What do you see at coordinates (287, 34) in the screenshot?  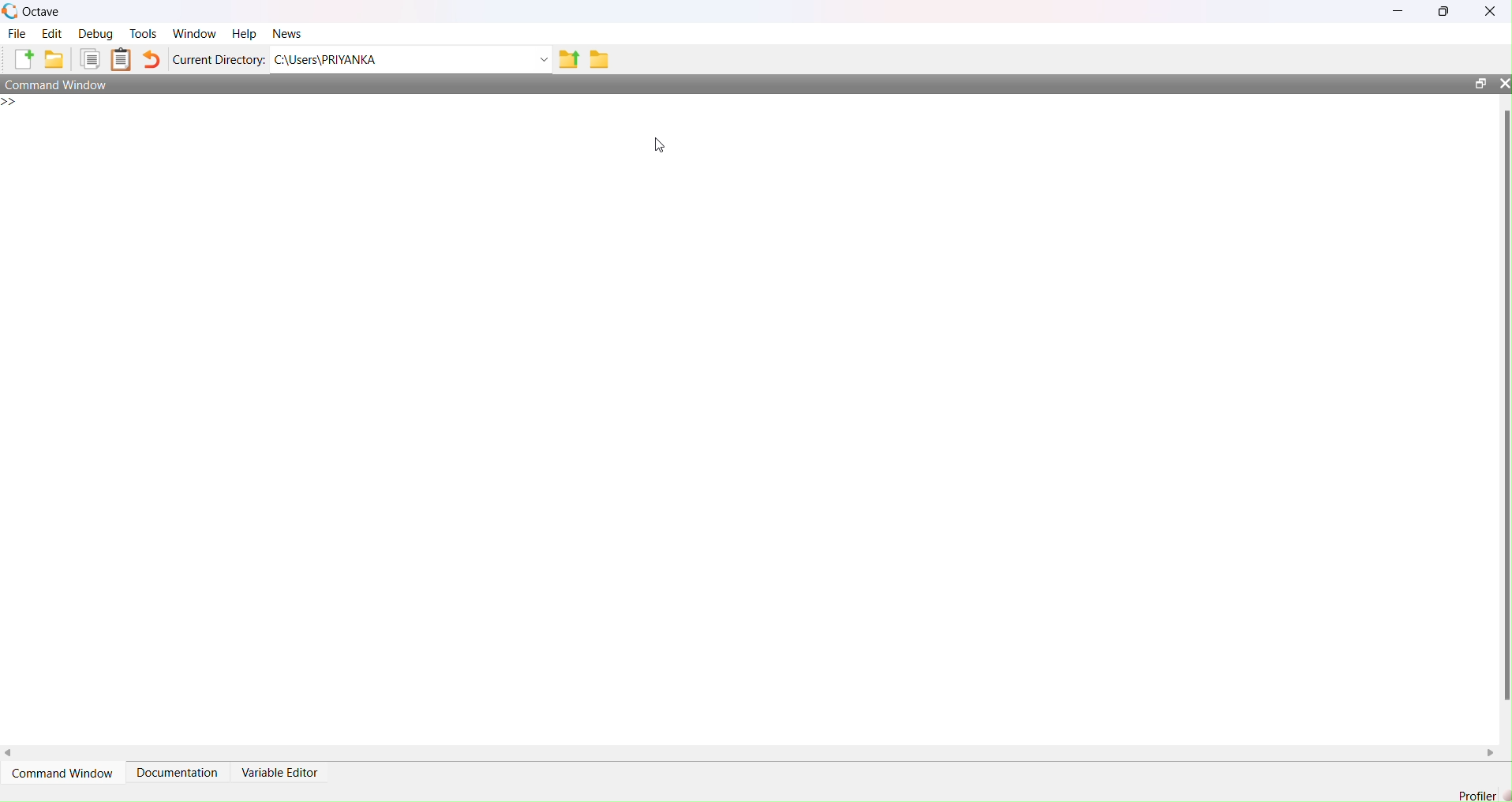 I see `News` at bounding box center [287, 34].